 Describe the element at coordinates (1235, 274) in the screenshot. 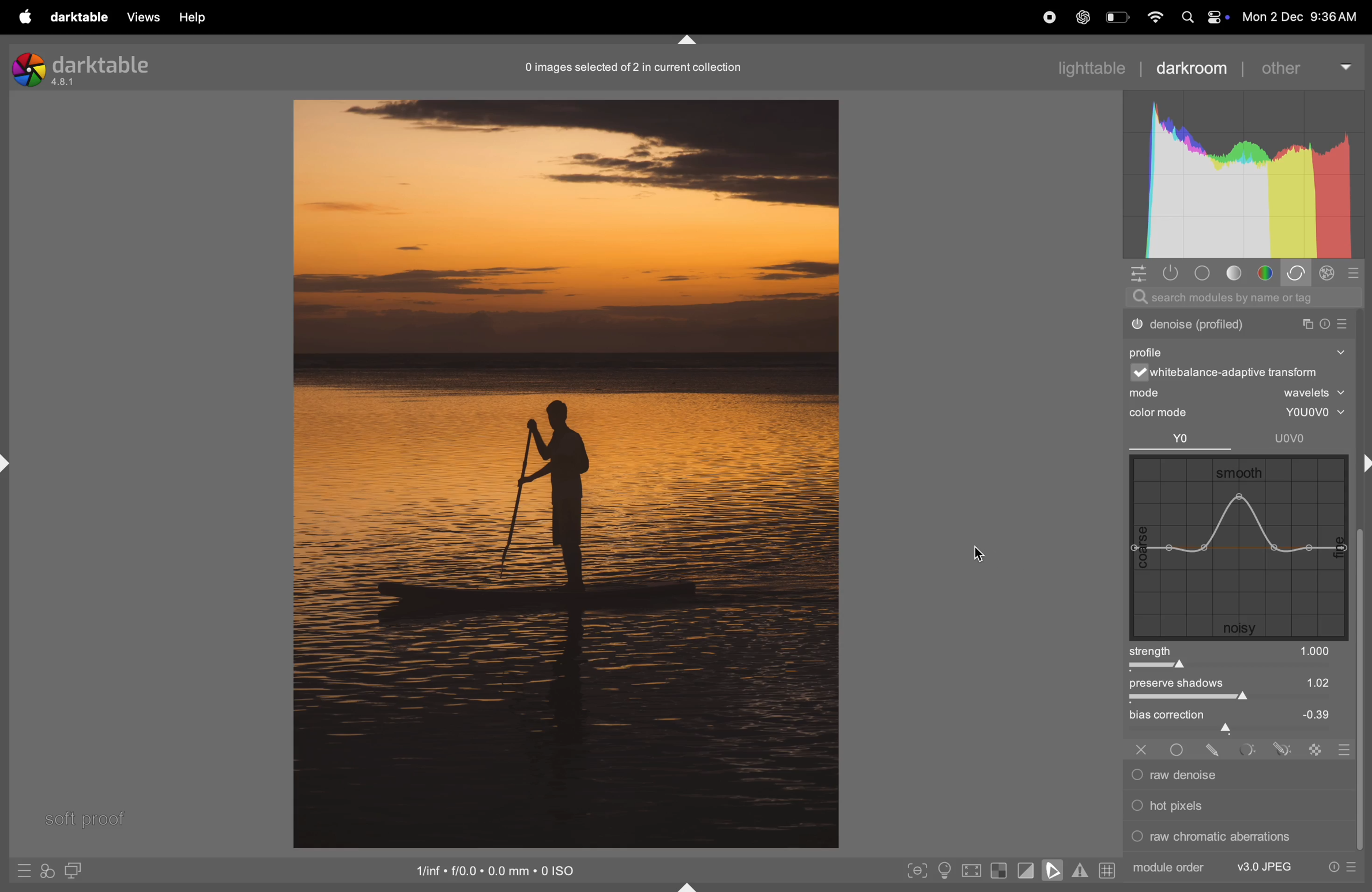

I see `tone` at that location.